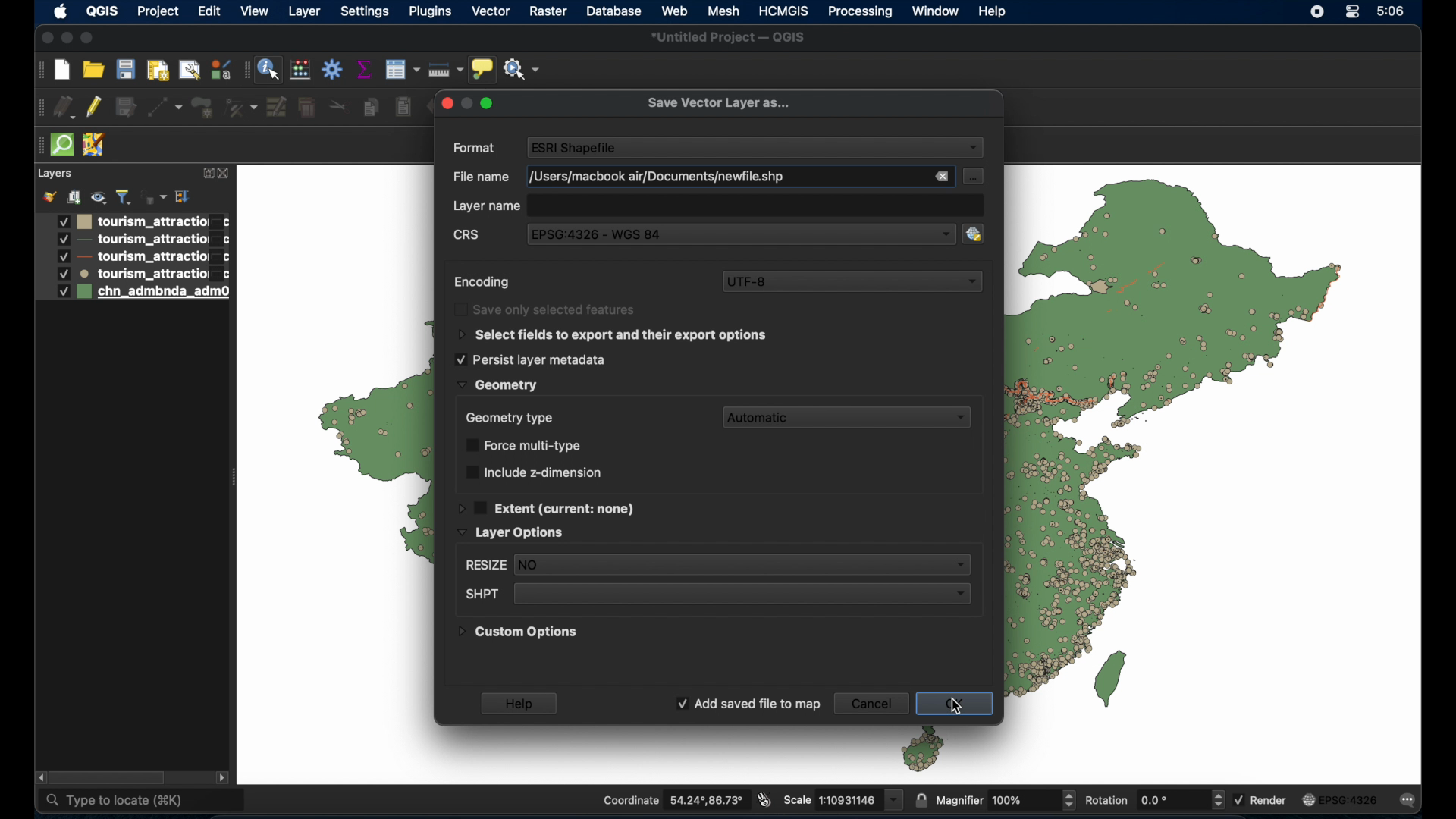  What do you see at coordinates (497, 385) in the screenshot?
I see `geometry ` at bounding box center [497, 385].